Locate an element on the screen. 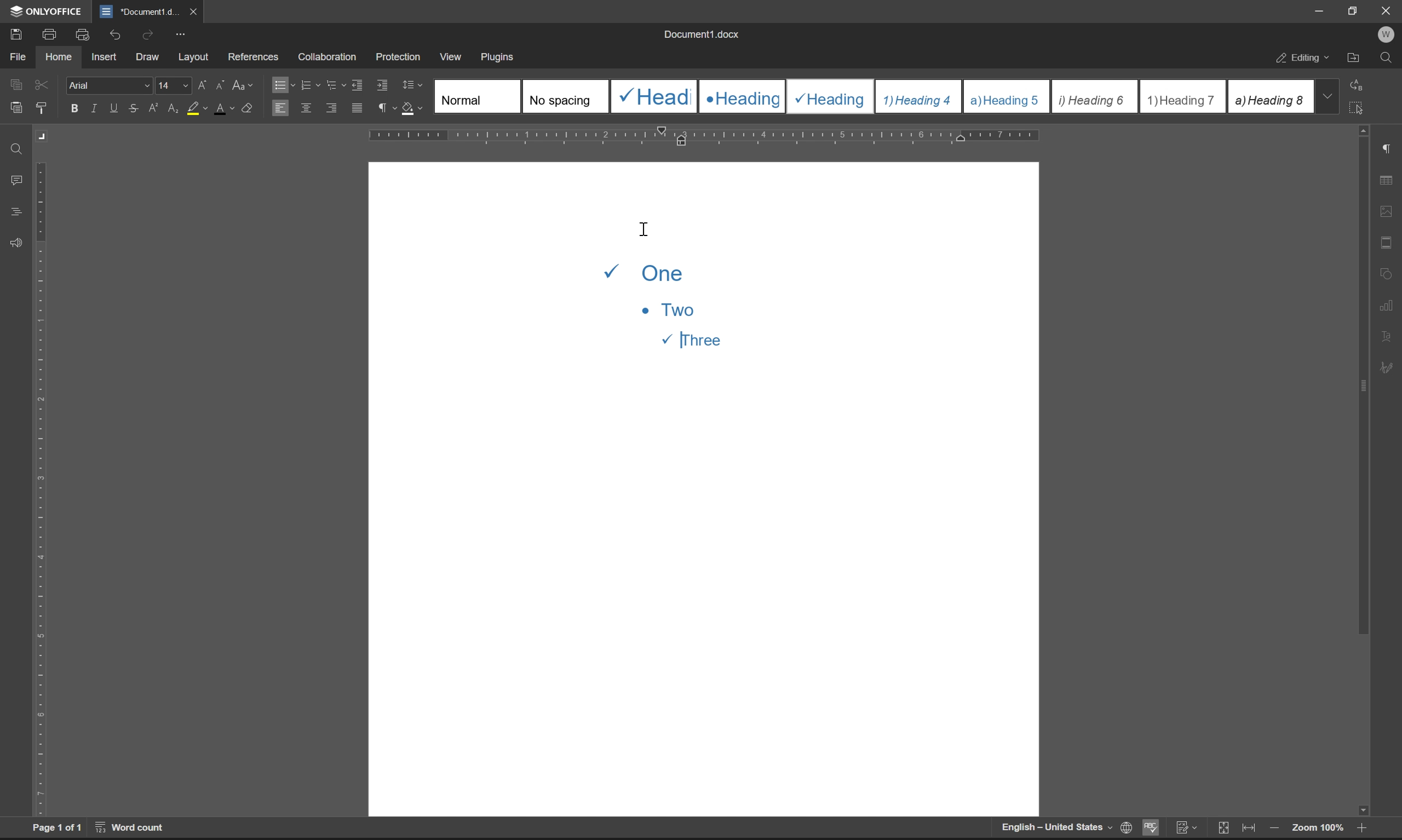  find is located at coordinates (18, 150).